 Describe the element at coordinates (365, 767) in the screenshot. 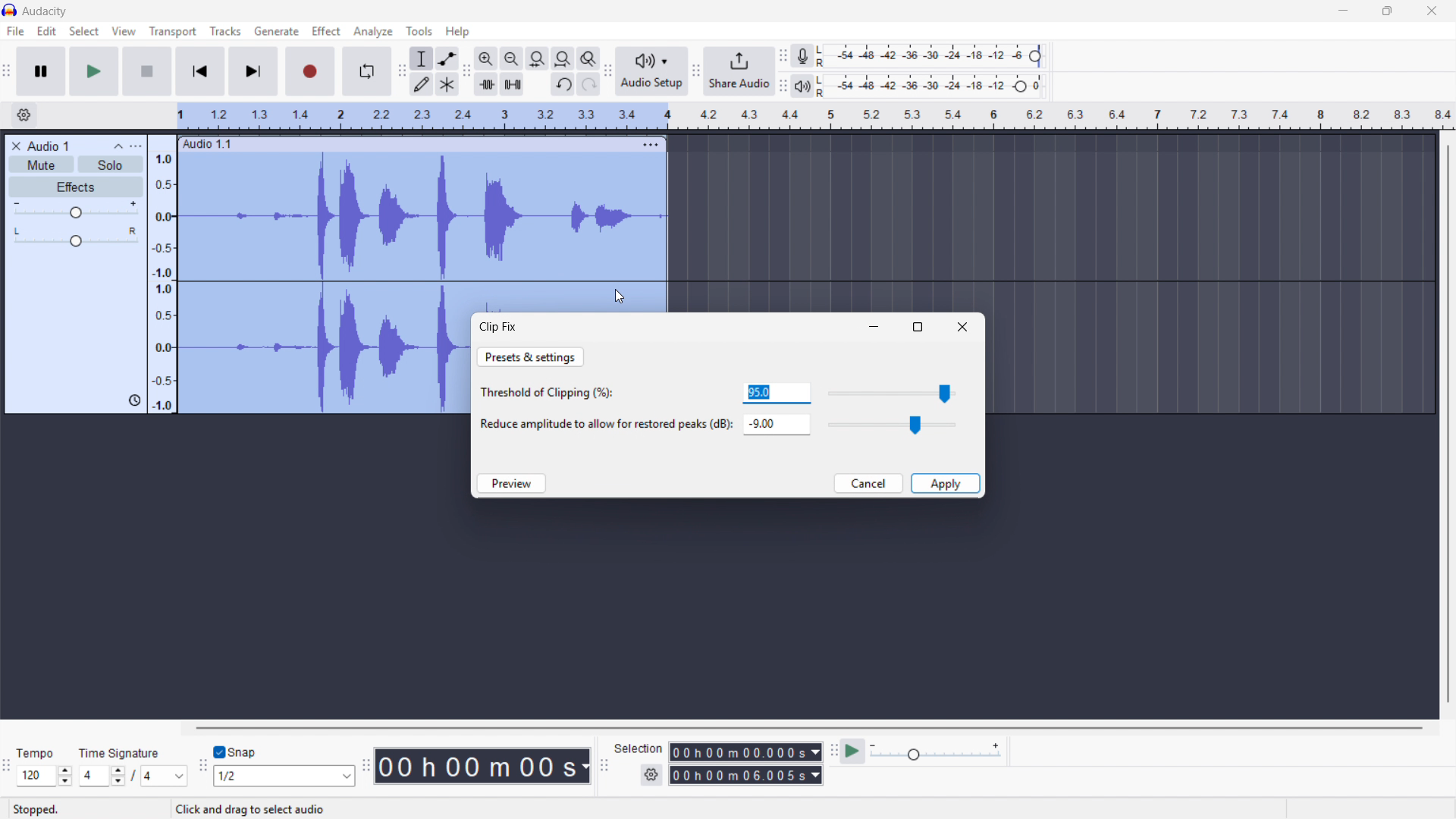

I see `Time toolbar` at that location.